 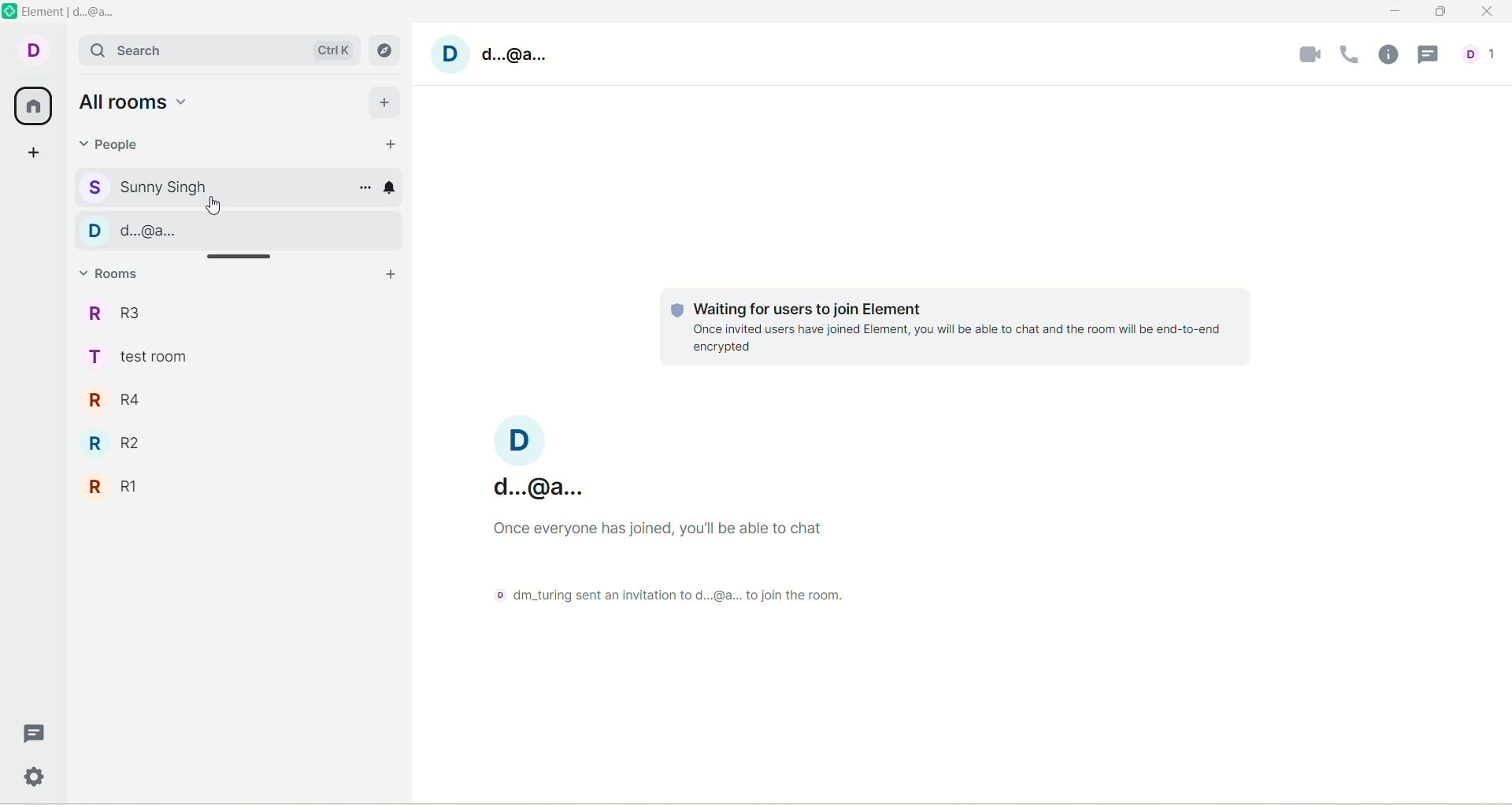 What do you see at coordinates (493, 54) in the screenshot?
I see `account` at bounding box center [493, 54].